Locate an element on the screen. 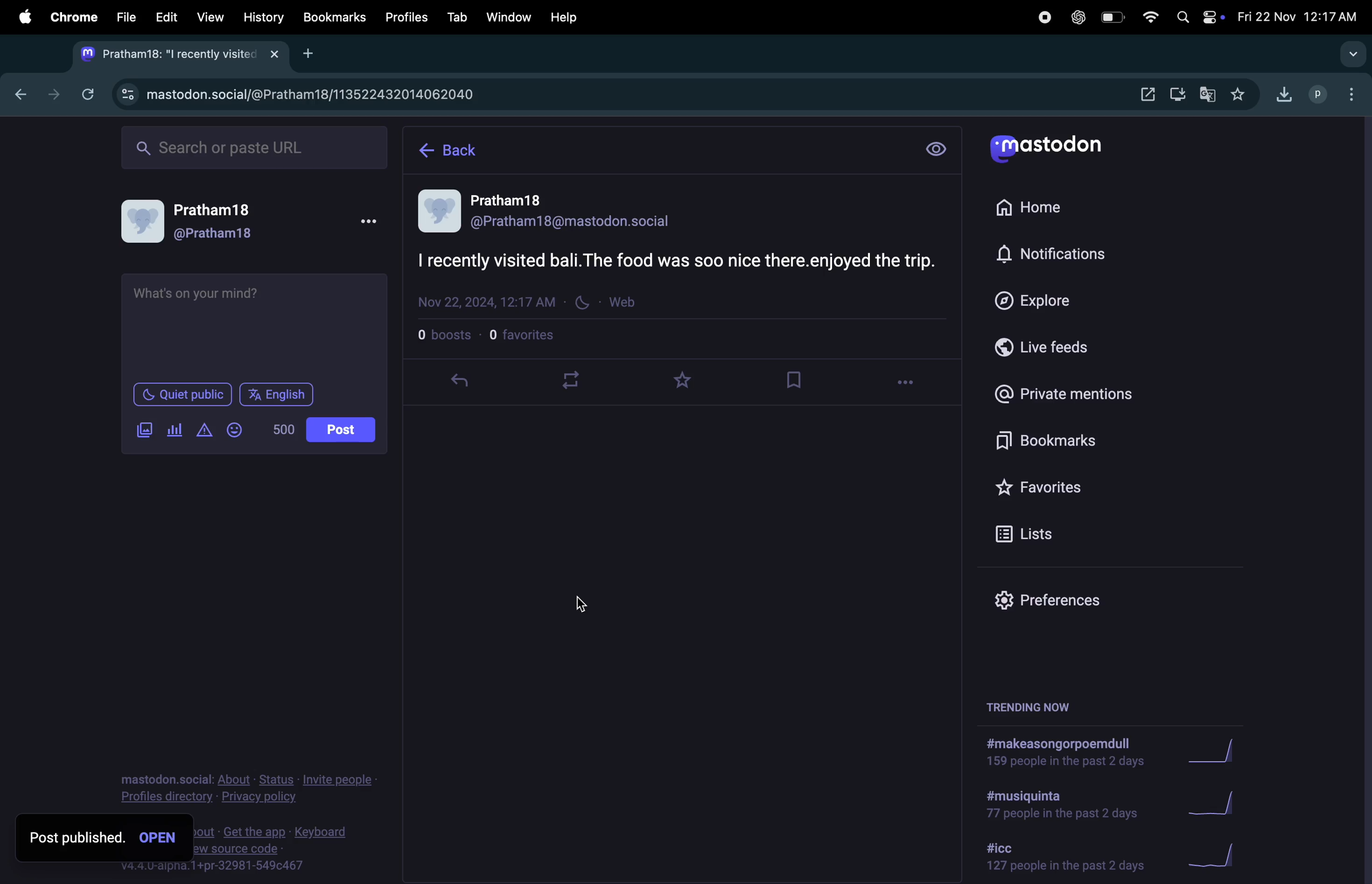  post published is located at coordinates (74, 838).